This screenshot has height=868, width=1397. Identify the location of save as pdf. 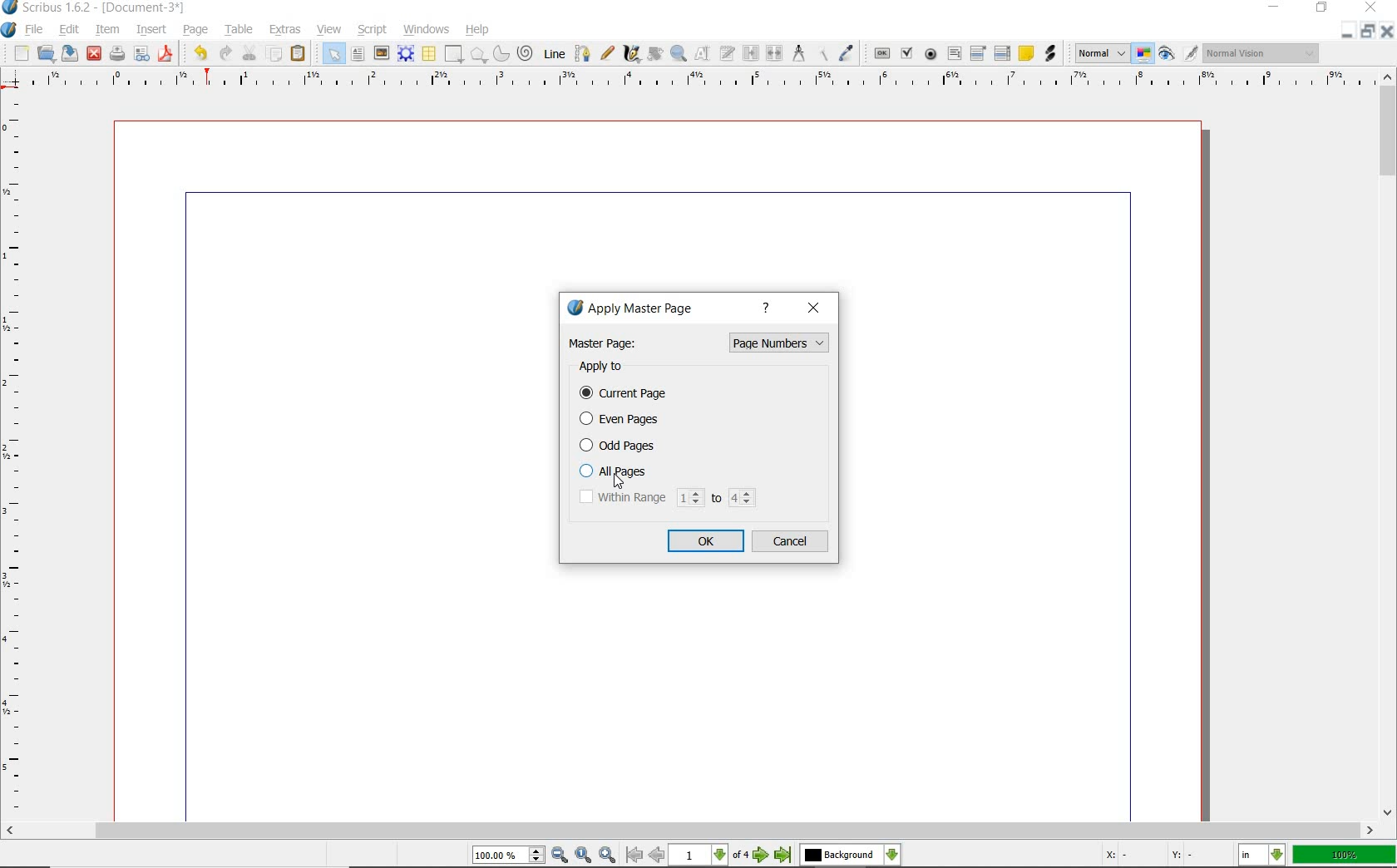
(165, 55).